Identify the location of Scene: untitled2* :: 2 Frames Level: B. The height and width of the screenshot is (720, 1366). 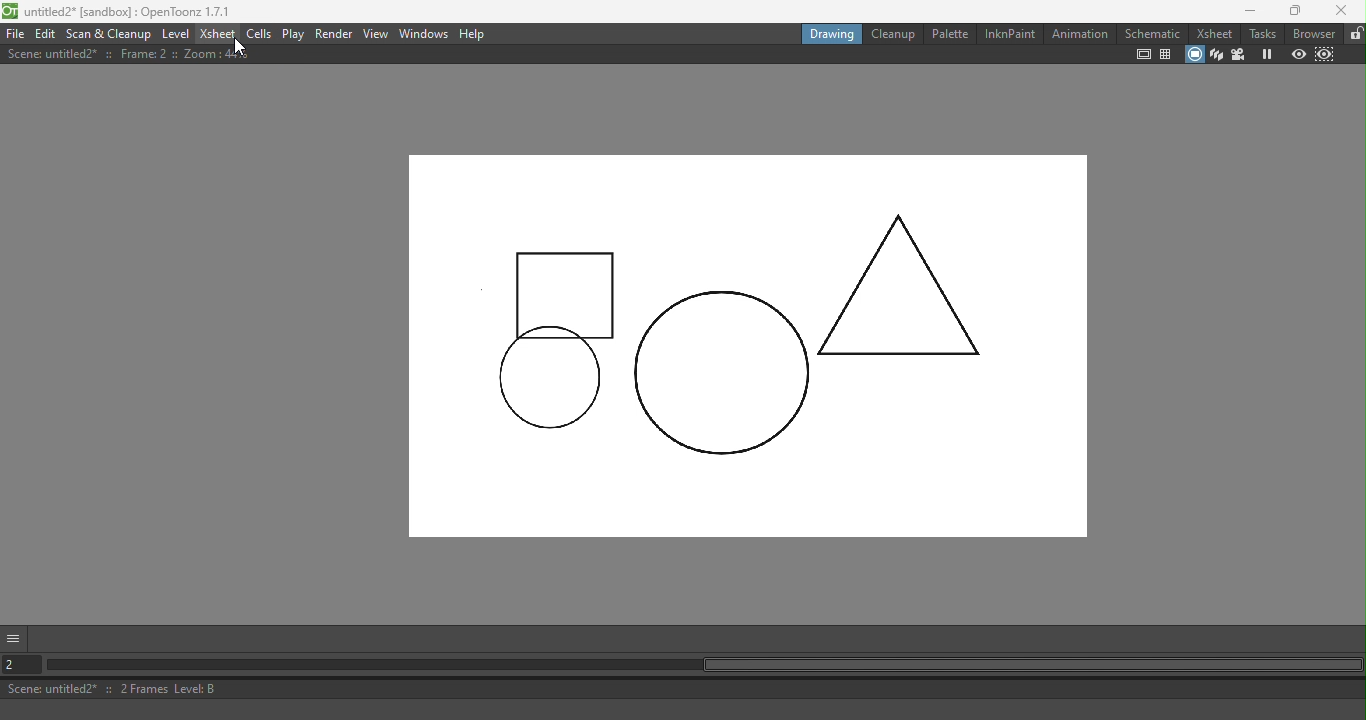
(685, 688).